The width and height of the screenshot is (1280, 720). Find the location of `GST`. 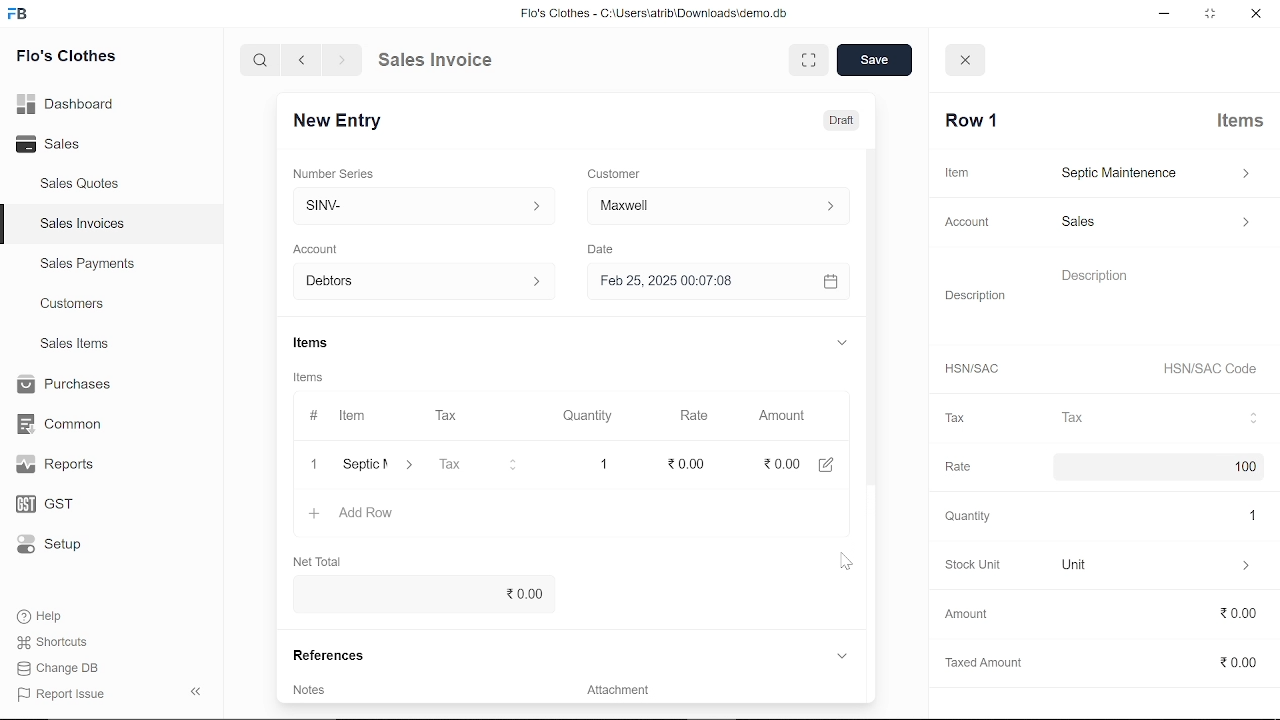

GST is located at coordinates (55, 501).